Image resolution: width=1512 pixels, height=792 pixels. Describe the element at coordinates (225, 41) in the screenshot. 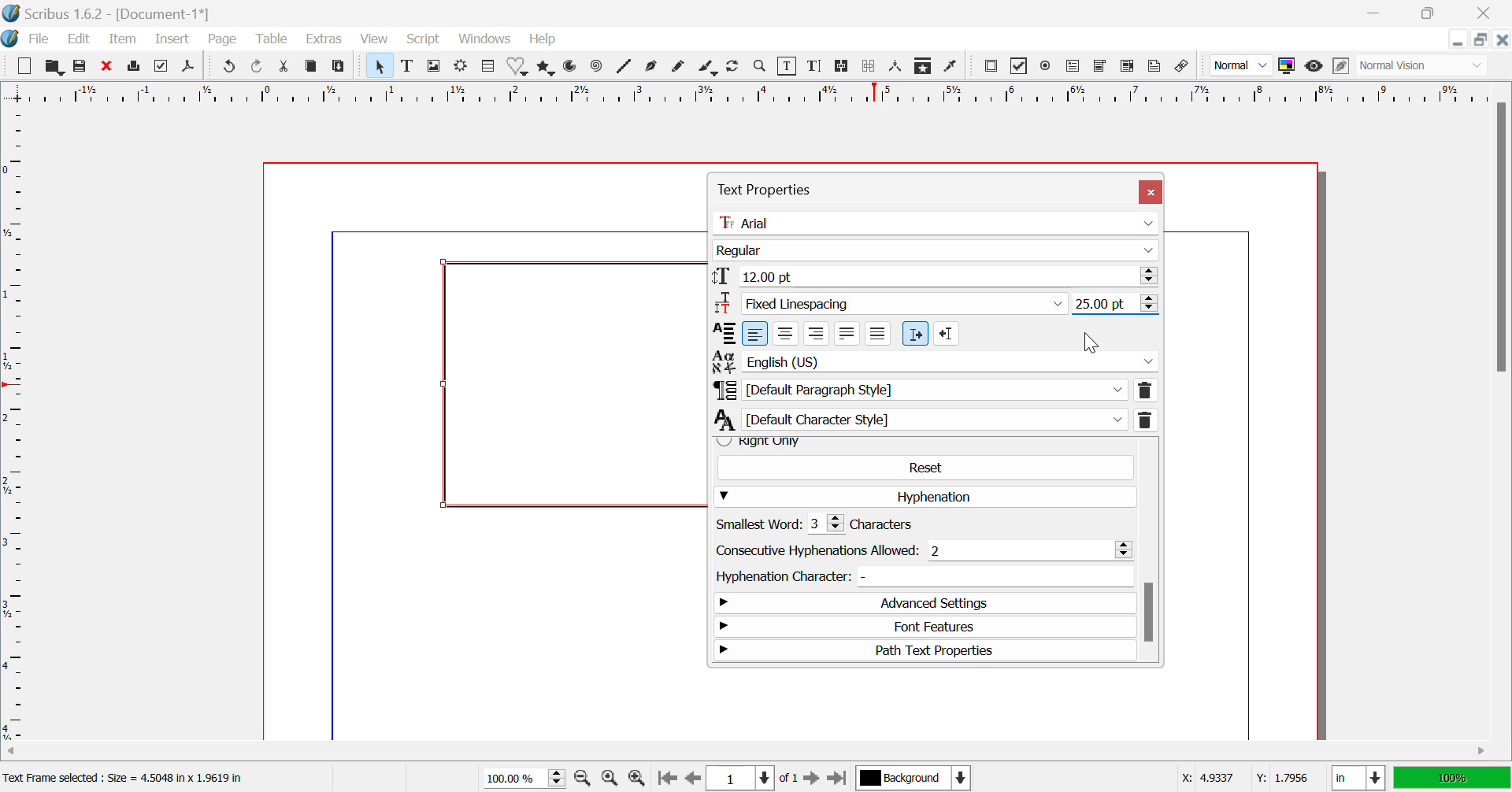

I see `Page` at that location.